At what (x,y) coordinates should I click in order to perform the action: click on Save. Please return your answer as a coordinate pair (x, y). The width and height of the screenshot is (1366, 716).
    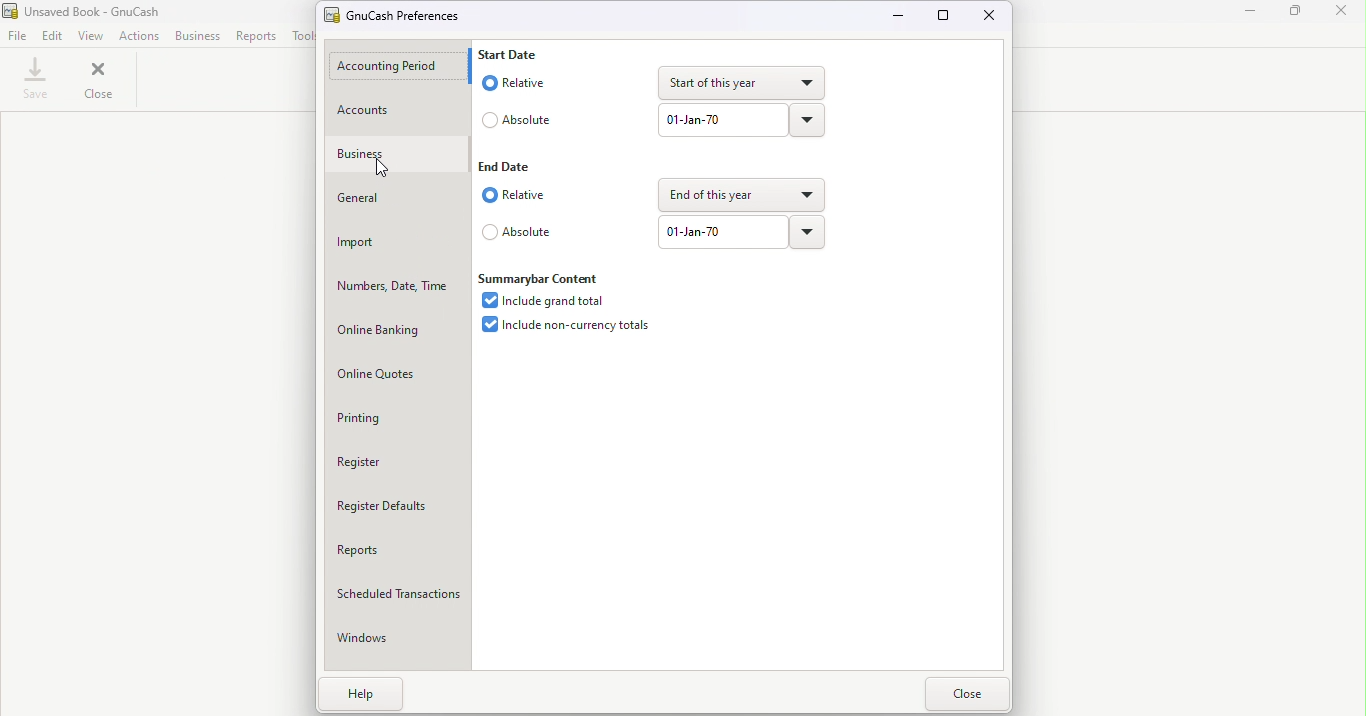
    Looking at the image, I should click on (33, 82).